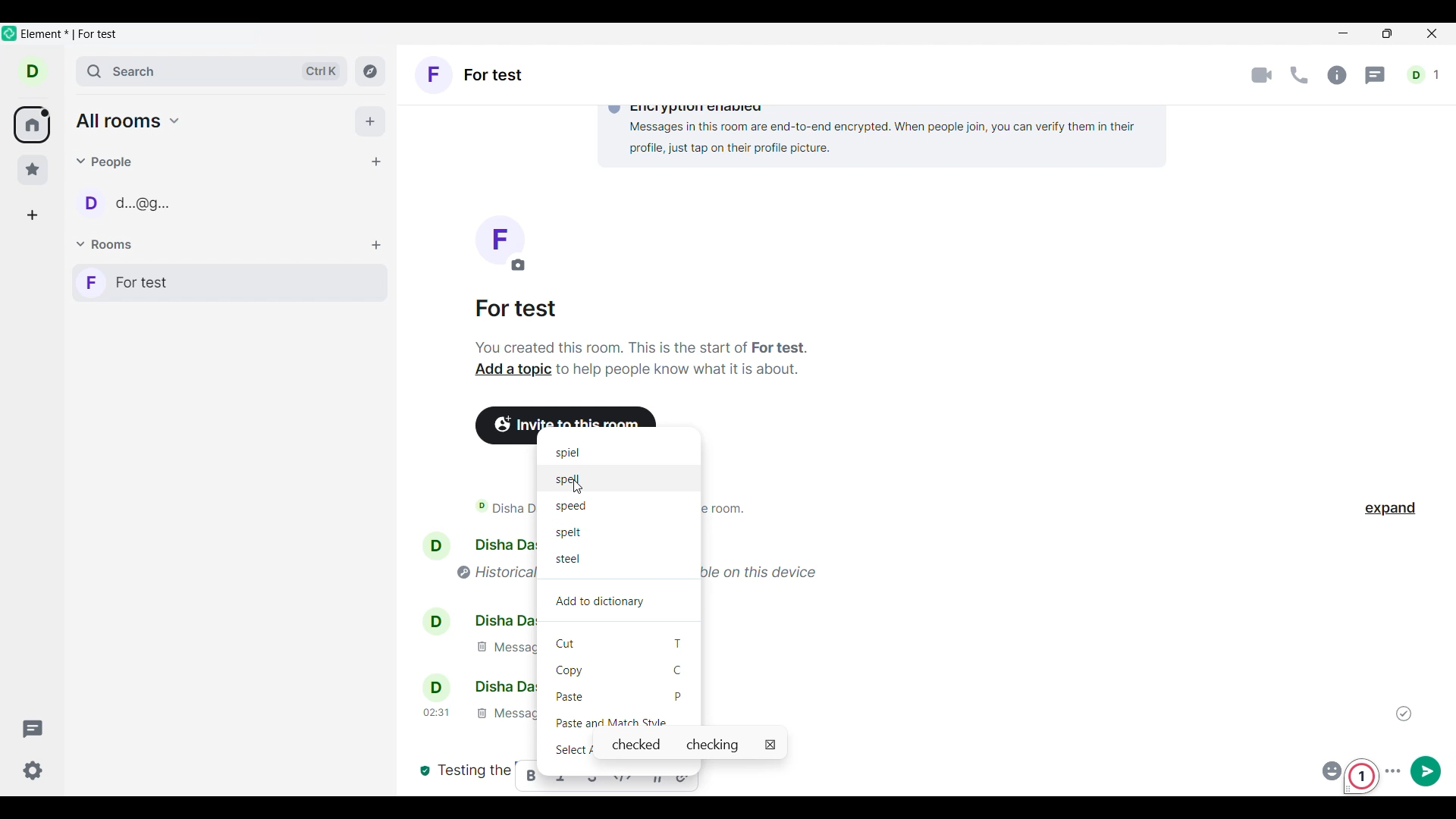  What do you see at coordinates (680, 373) in the screenshot?
I see `to help people know what it is about` at bounding box center [680, 373].